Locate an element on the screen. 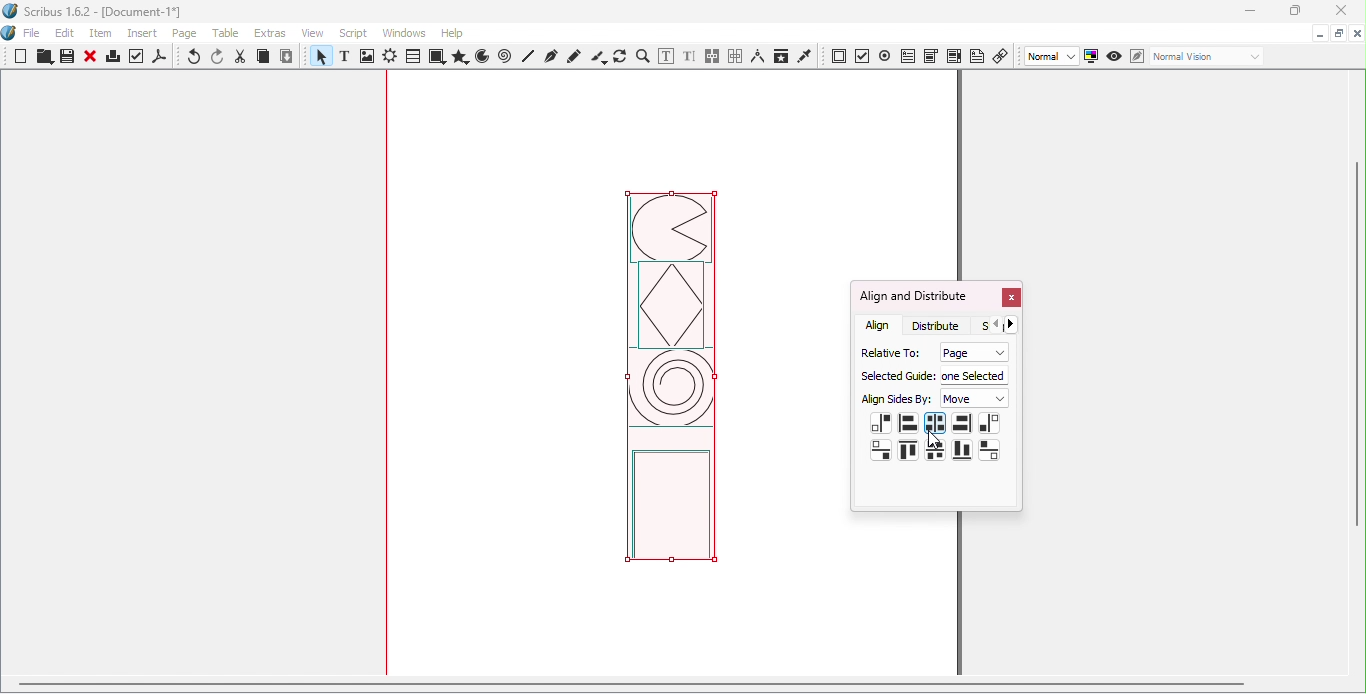 This screenshot has height=694, width=1366. Open is located at coordinates (42, 58).